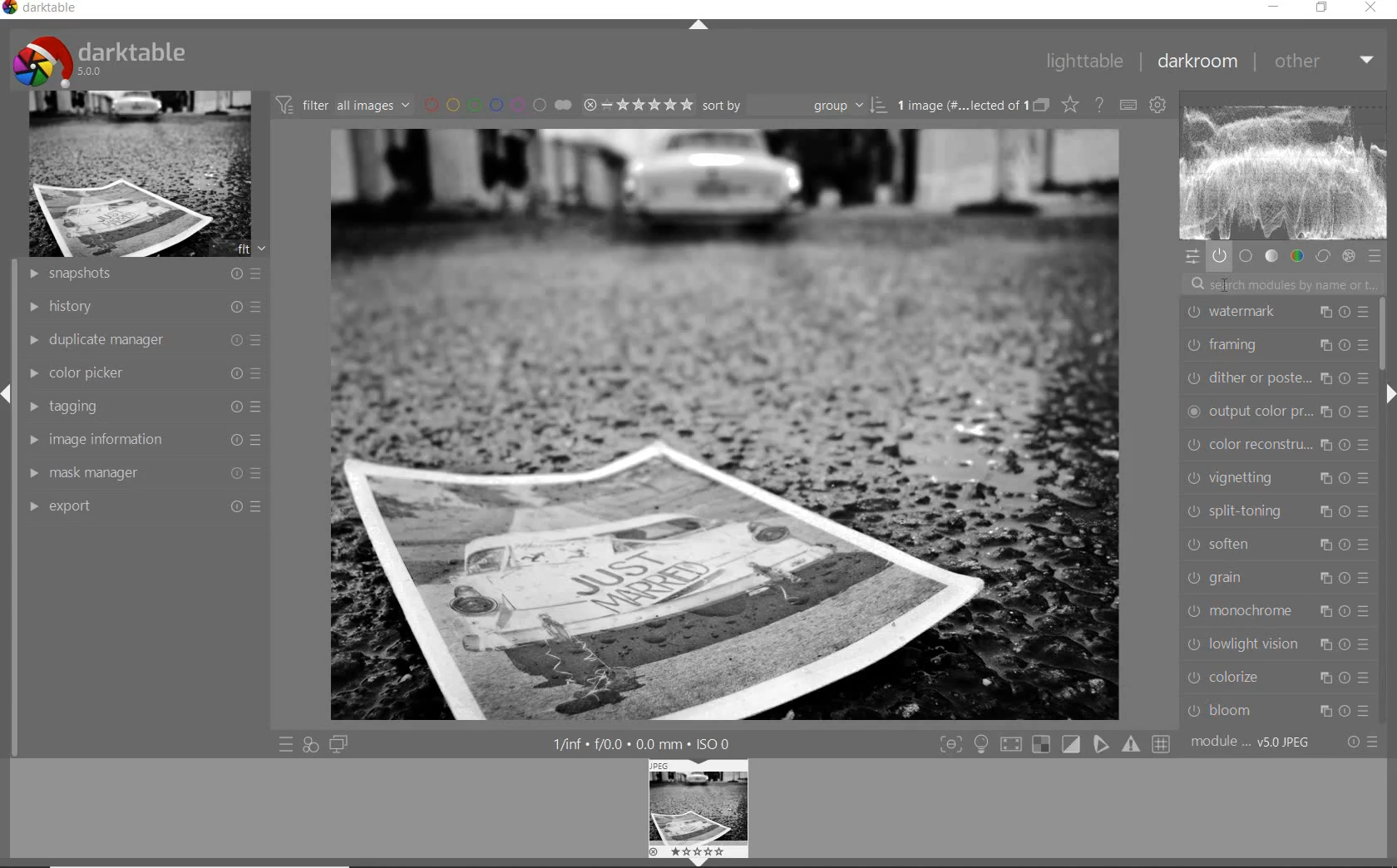 The height and width of the screenshot is (868, 1397). I want to click on selected image, so click(725, 424).